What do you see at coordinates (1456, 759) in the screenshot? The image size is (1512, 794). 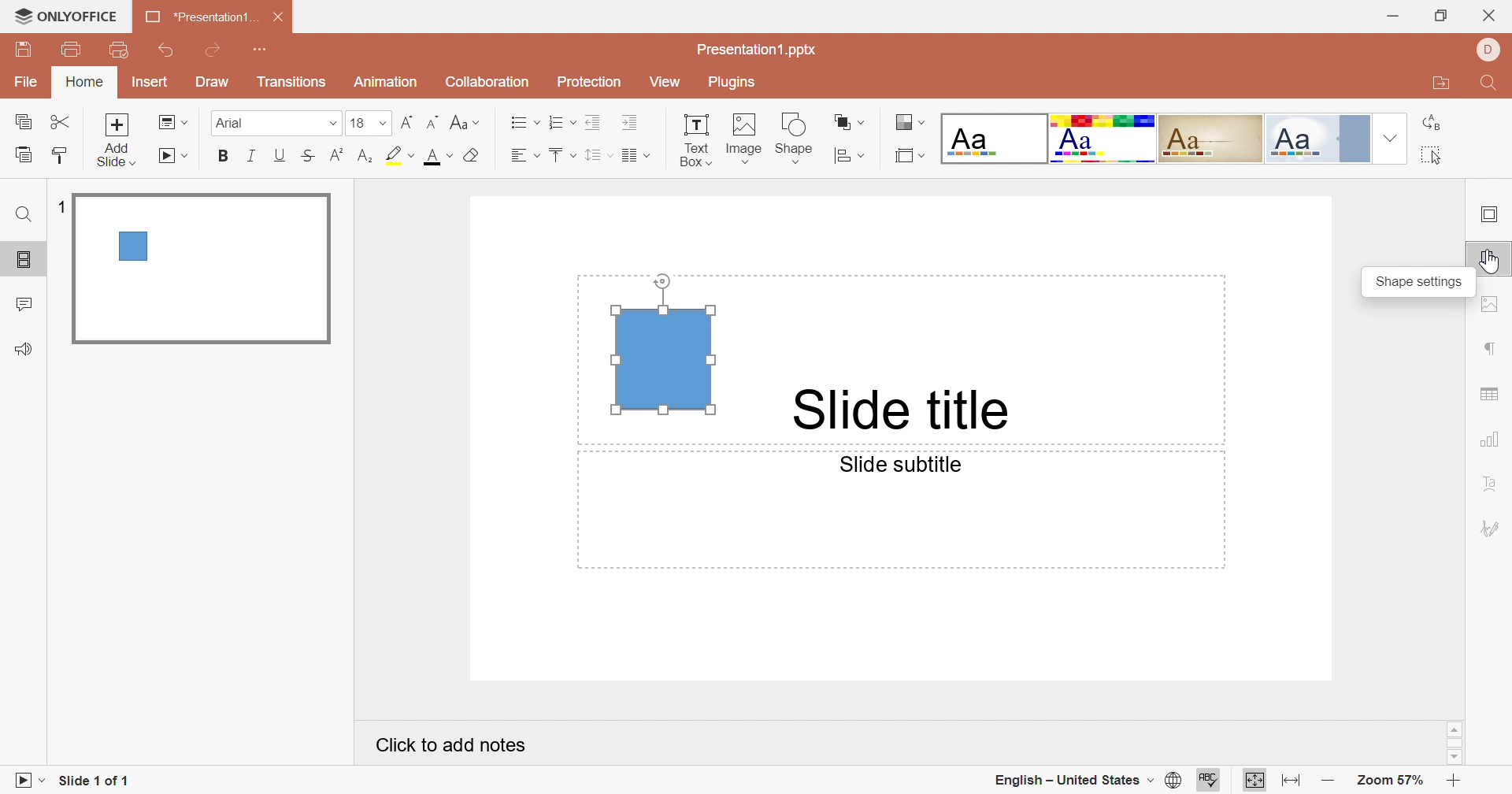 I see `Scroll down` at bounding box center [1456, 759].